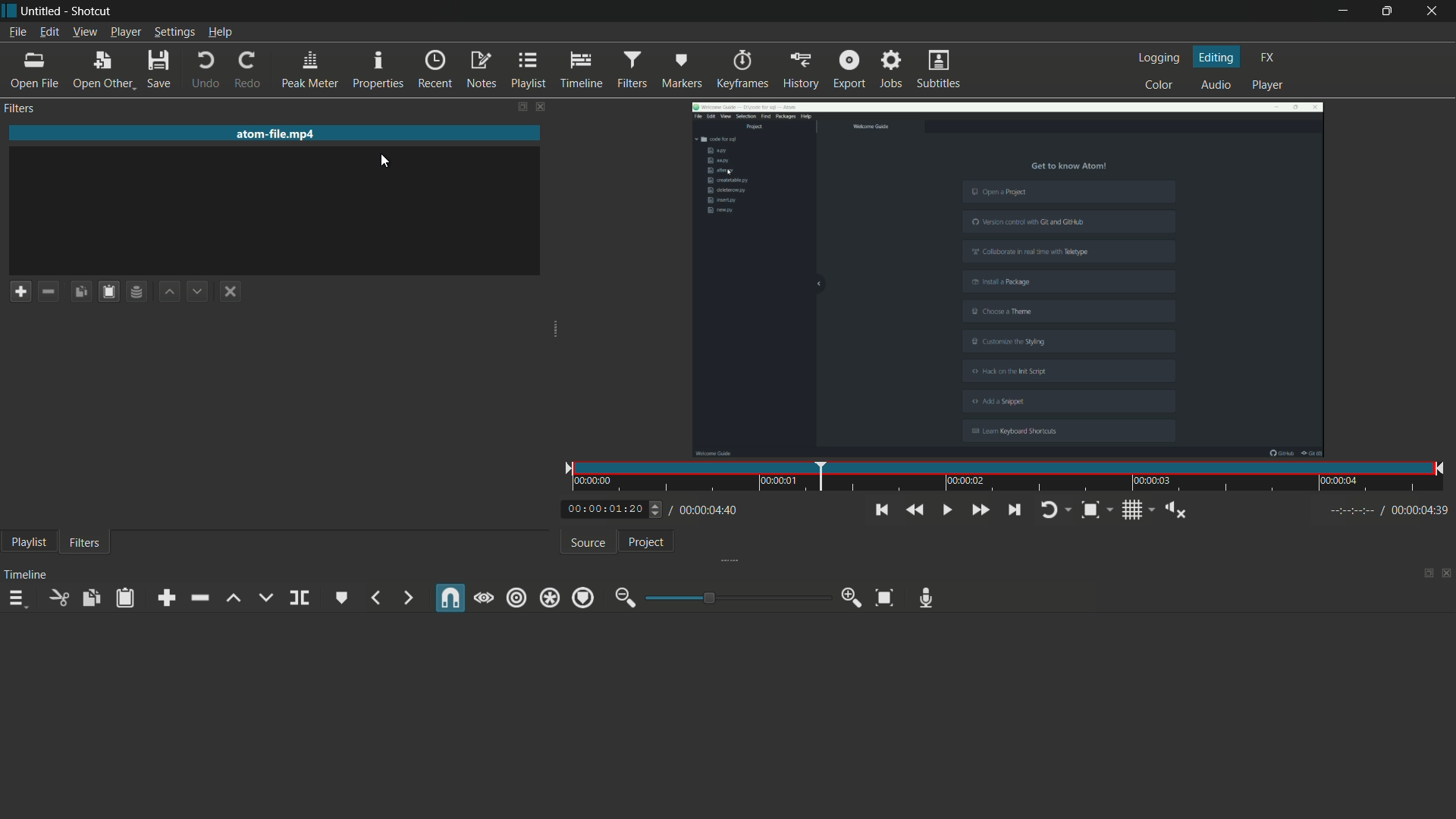 This screenshot has width=1456, height=819. What do you see at coordinates (58, 598) in the screenshot?
I see `cut` at bounding box center [58, 598].